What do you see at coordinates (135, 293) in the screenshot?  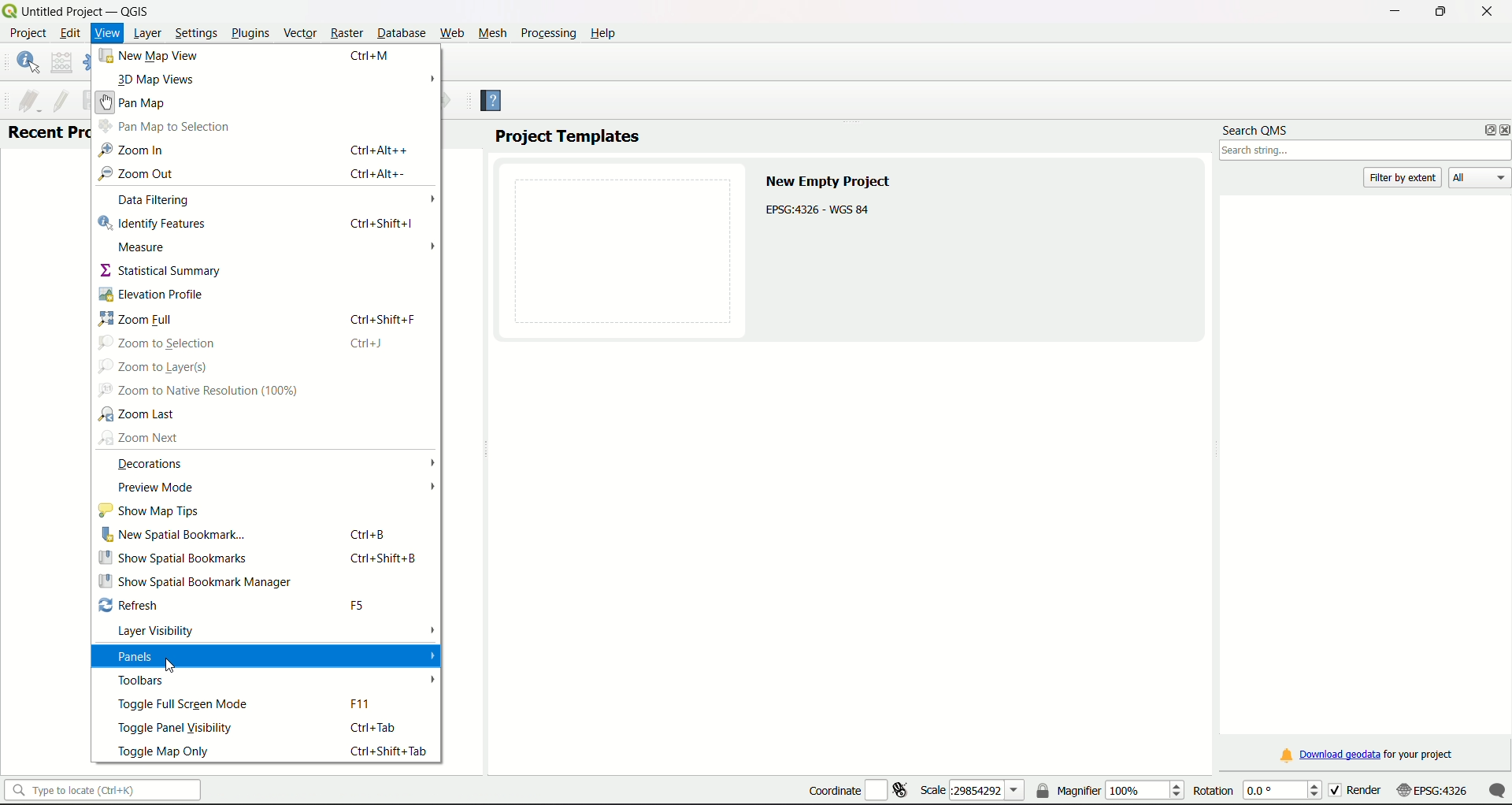 I see `elevation profile` at bounding box center [135, 293].